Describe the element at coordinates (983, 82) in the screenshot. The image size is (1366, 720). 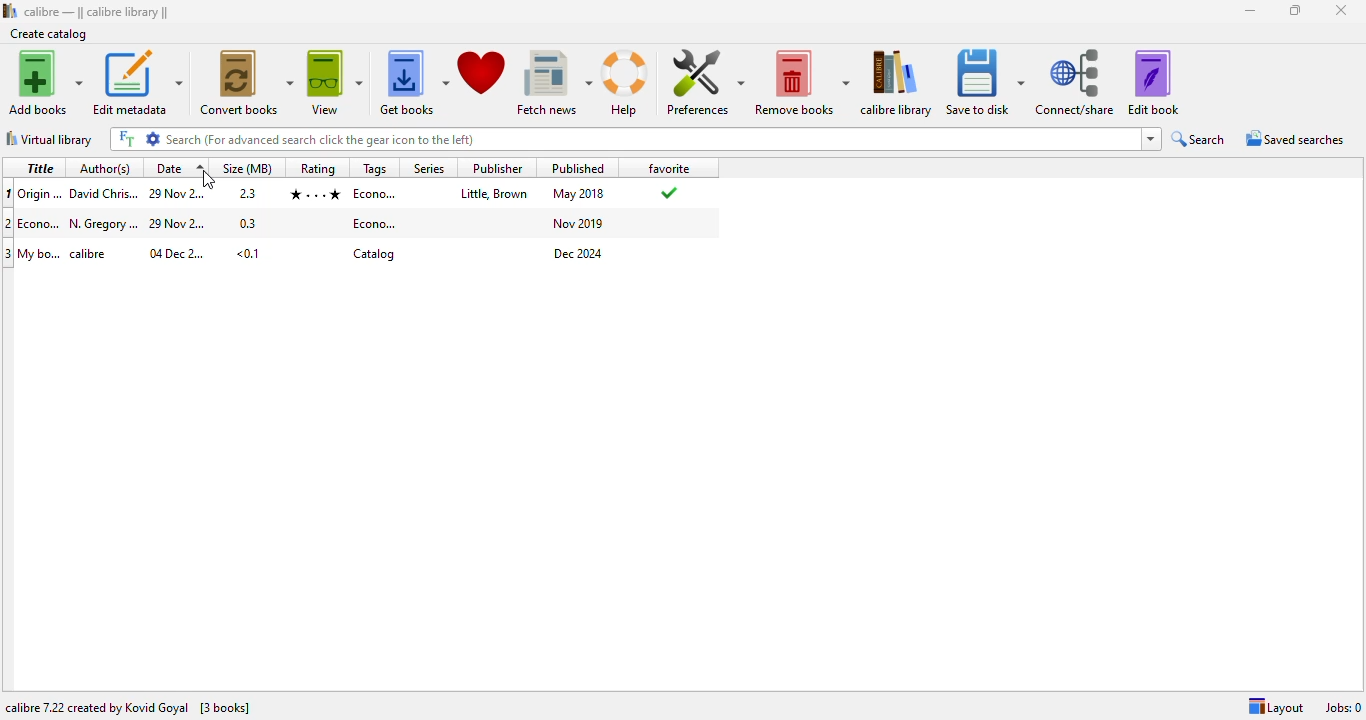
I see `save to disk` at that location.